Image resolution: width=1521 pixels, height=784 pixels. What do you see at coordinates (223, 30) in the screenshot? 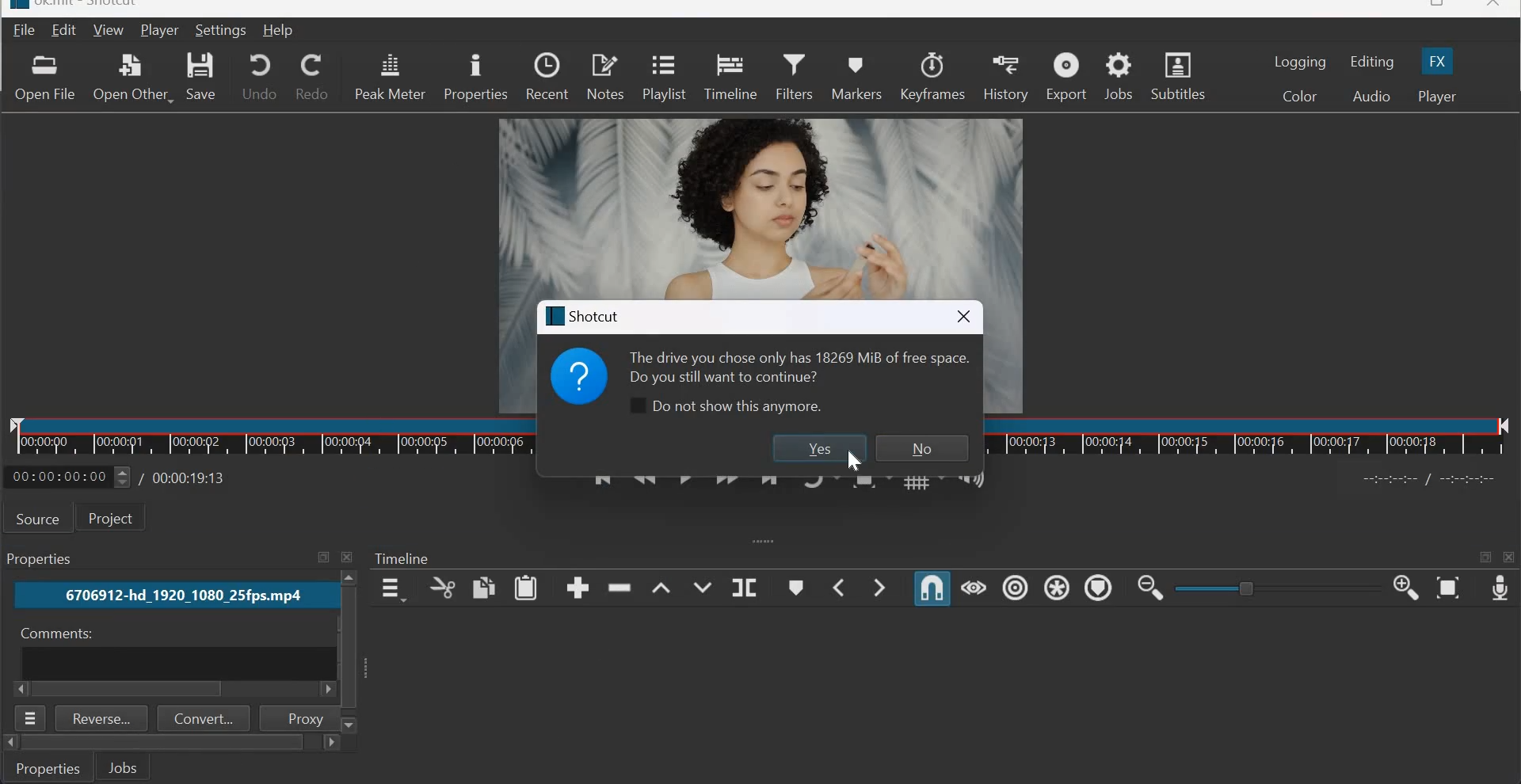
I see `settings` at bounding box center [223, 30].